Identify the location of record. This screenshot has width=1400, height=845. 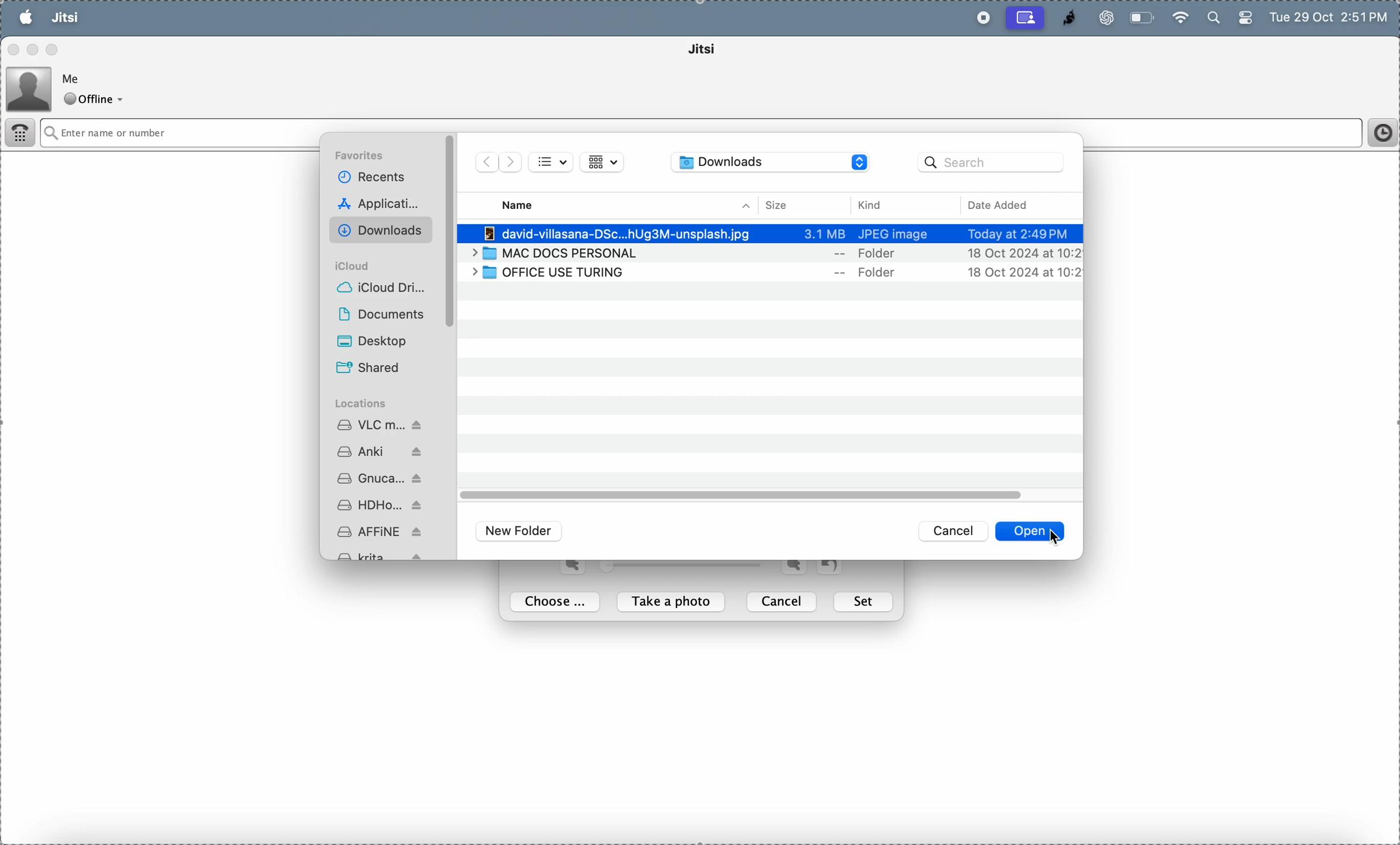
(980, 18).